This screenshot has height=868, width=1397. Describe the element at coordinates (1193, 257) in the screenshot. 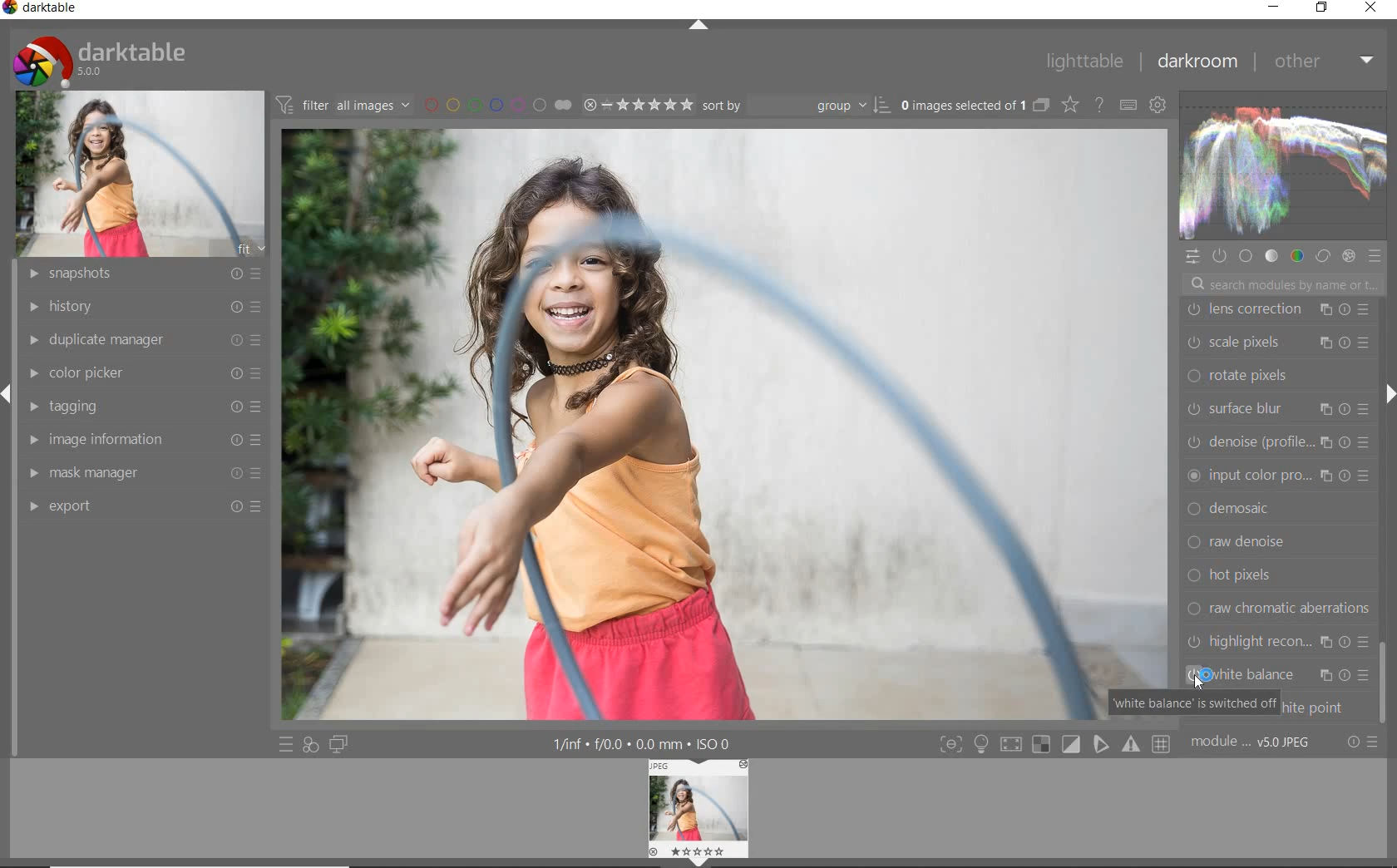

I see `quick access panel` at that location.